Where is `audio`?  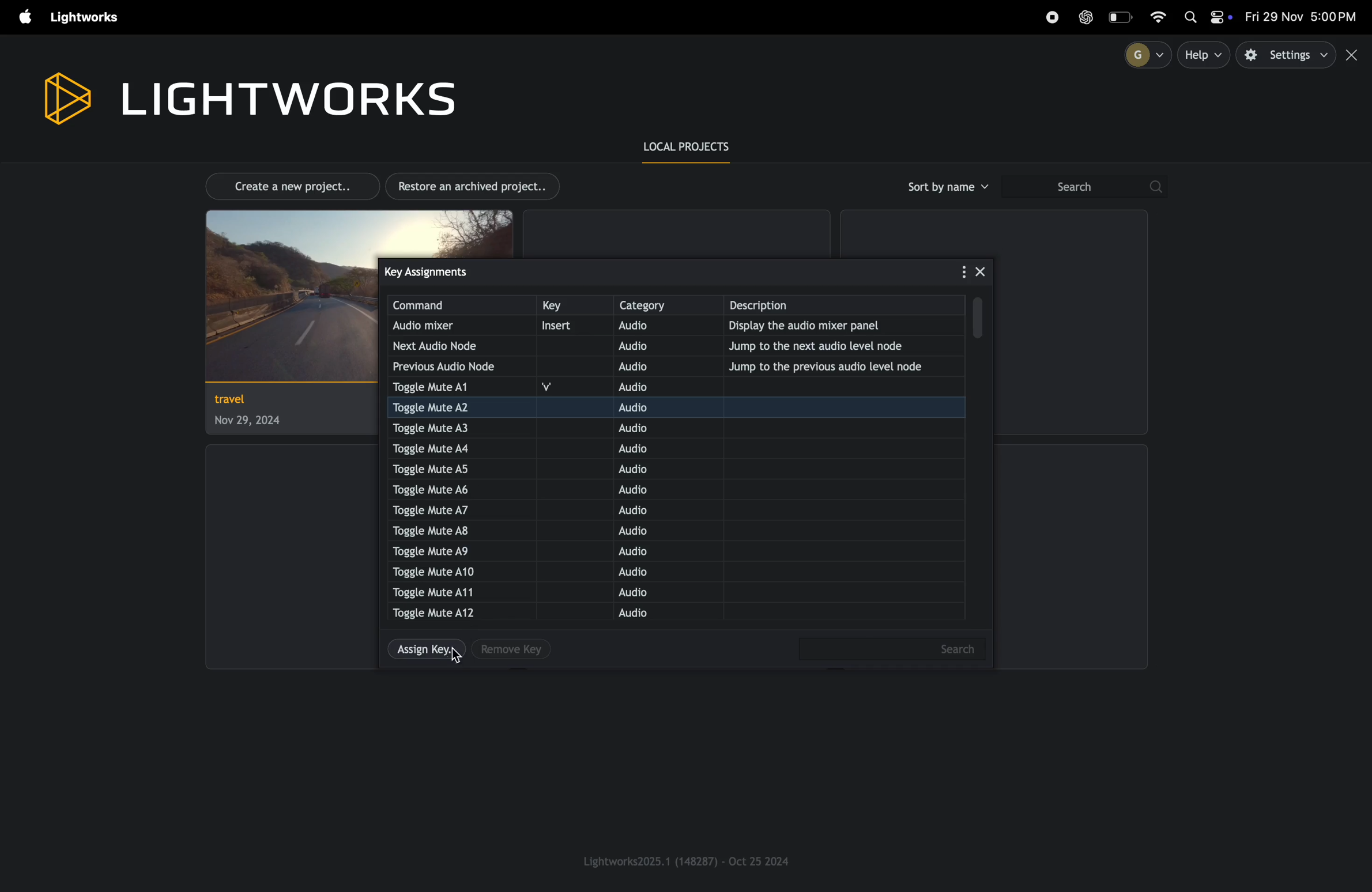
audio is located at coordinates (636, 470).